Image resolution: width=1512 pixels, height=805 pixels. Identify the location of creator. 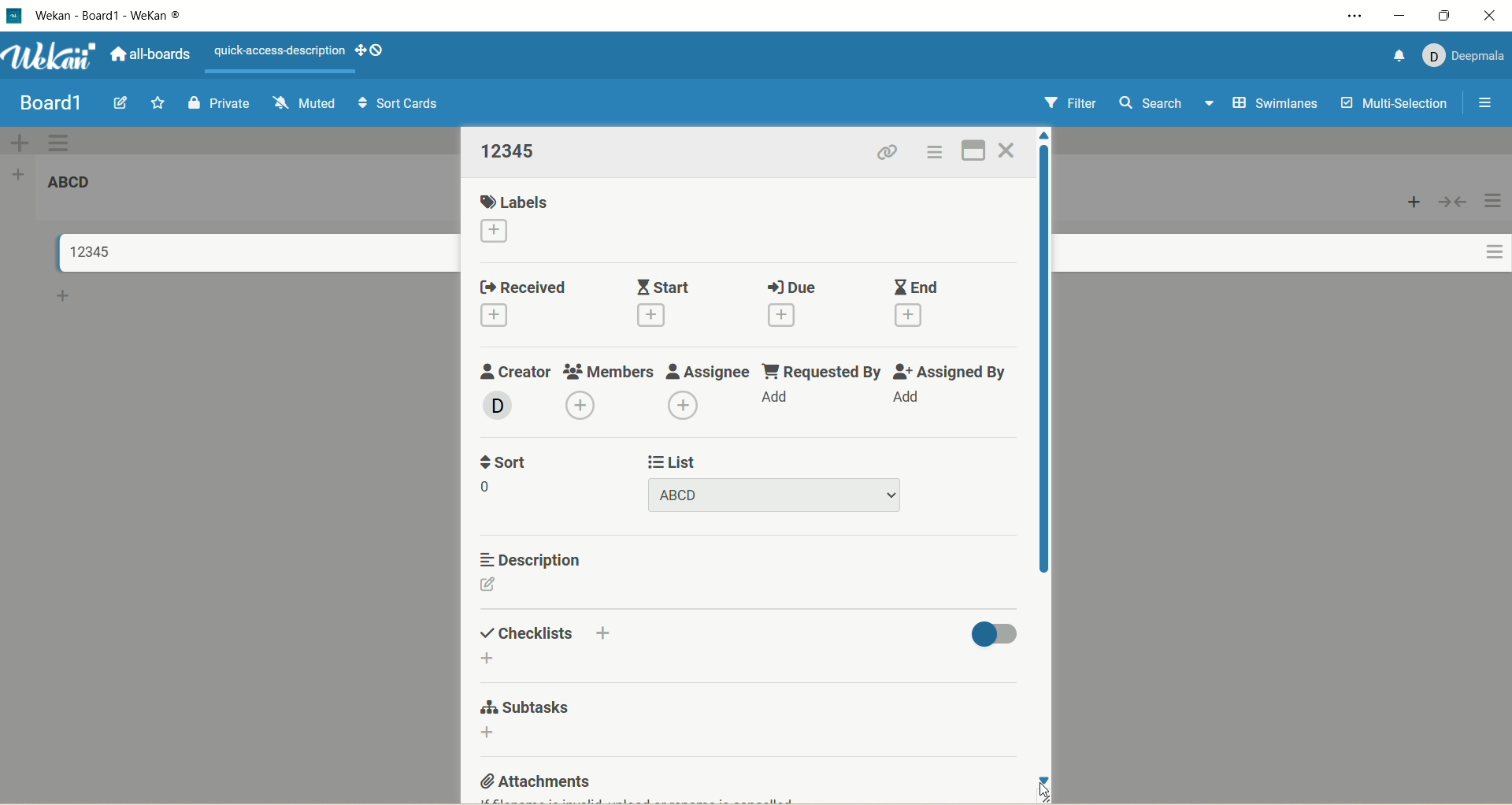
(516, 368).